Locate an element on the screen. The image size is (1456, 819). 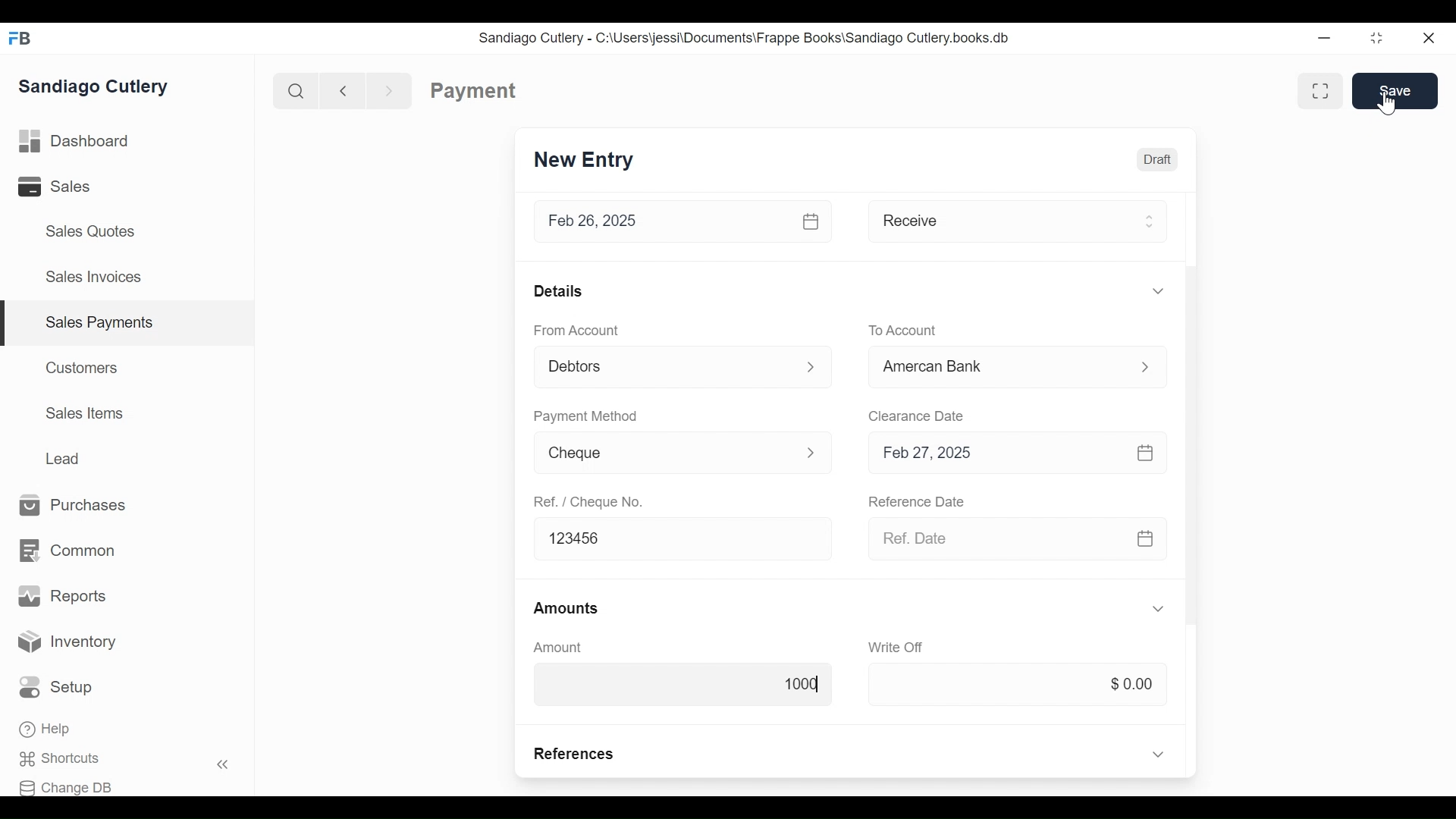
New Entry is located at coordinates (584, 161).